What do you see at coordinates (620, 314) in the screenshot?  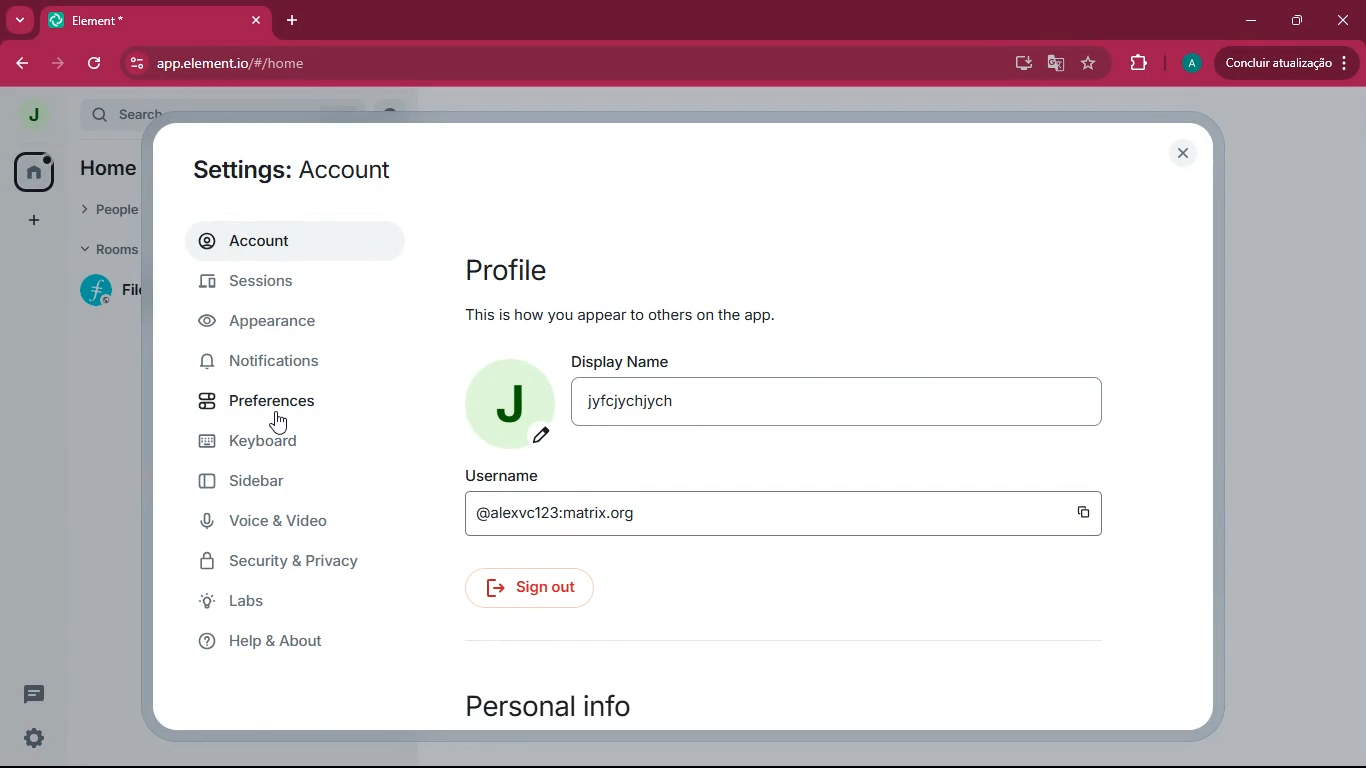 I see `This is how you appear to others on the app.` at bounding box center [620, 314].